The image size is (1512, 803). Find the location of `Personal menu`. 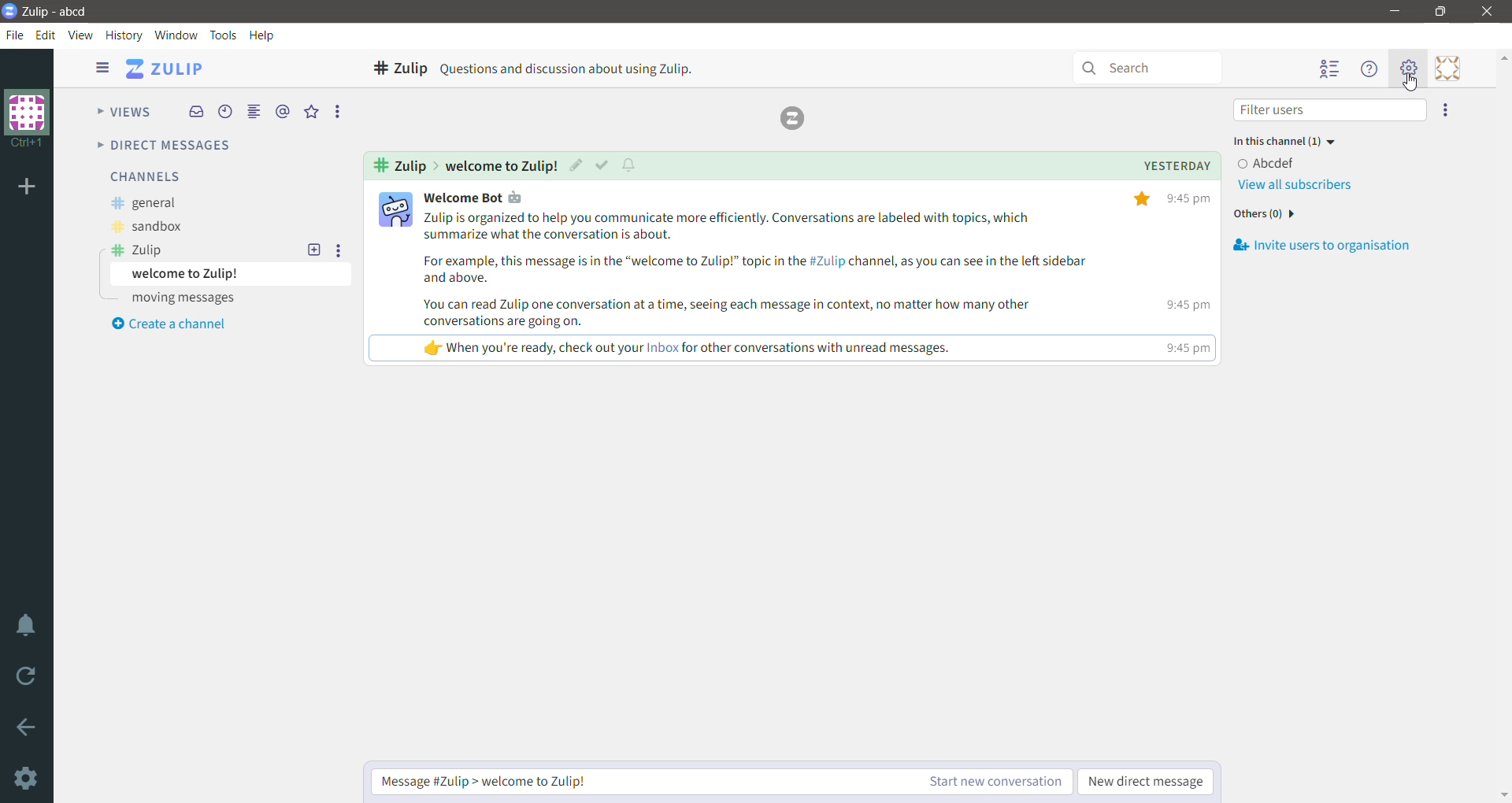

Personal menu is located at coordinates (1448, 68).